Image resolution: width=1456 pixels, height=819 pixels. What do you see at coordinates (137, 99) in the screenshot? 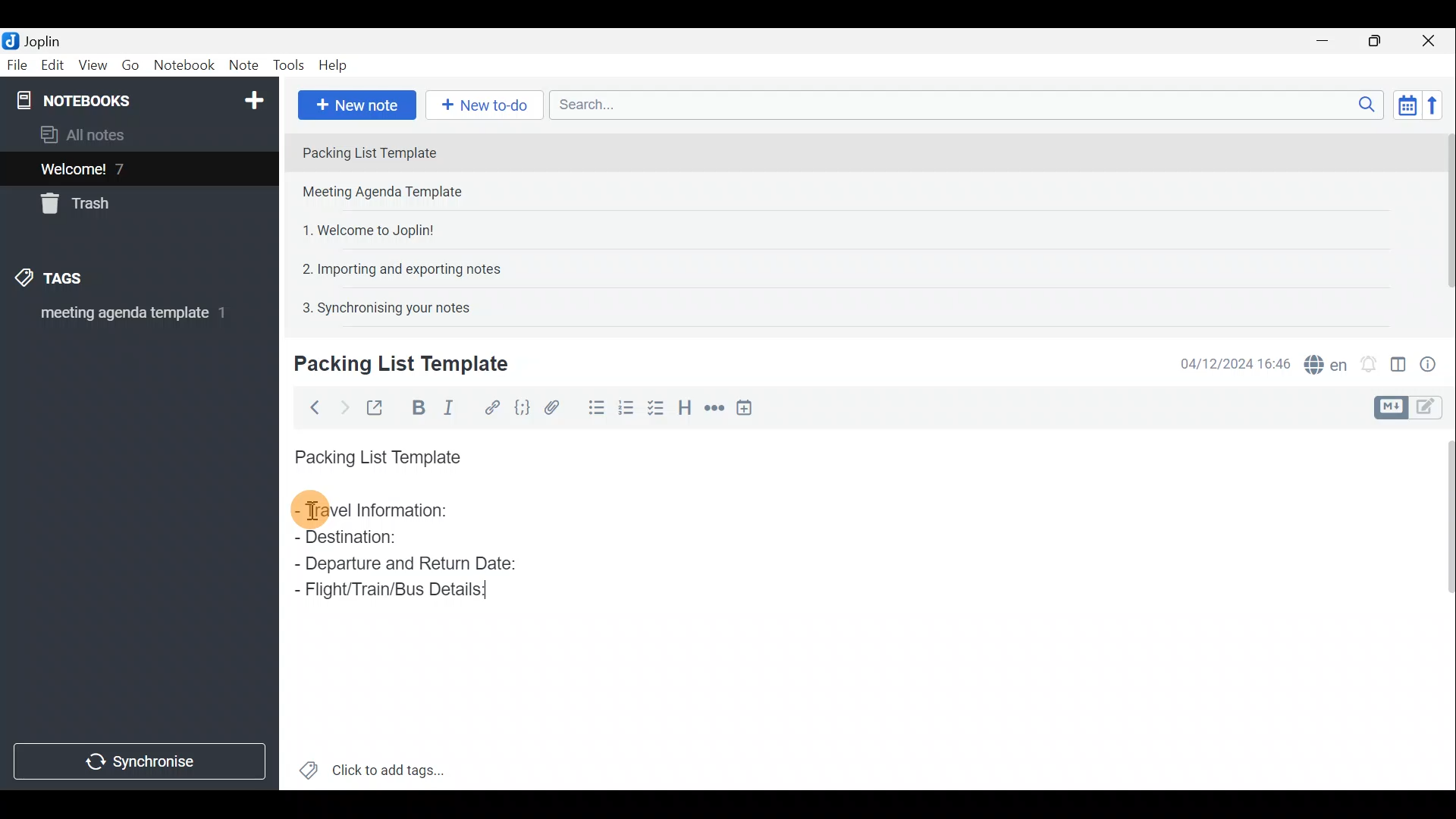
I see `Notebook` at bounding box center [137, 99].